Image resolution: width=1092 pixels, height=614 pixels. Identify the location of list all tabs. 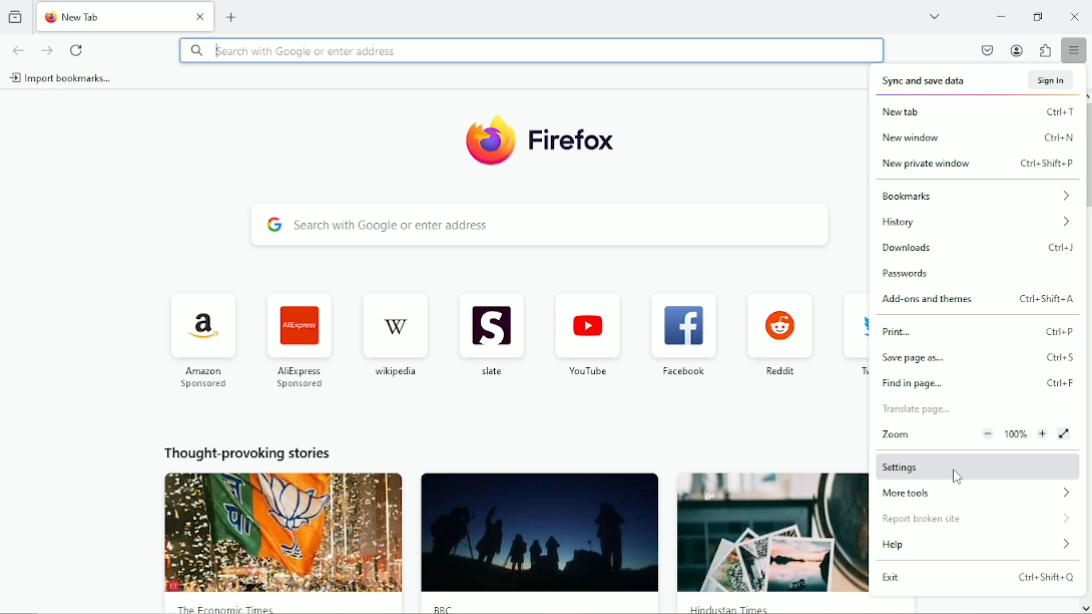
(935, 14).